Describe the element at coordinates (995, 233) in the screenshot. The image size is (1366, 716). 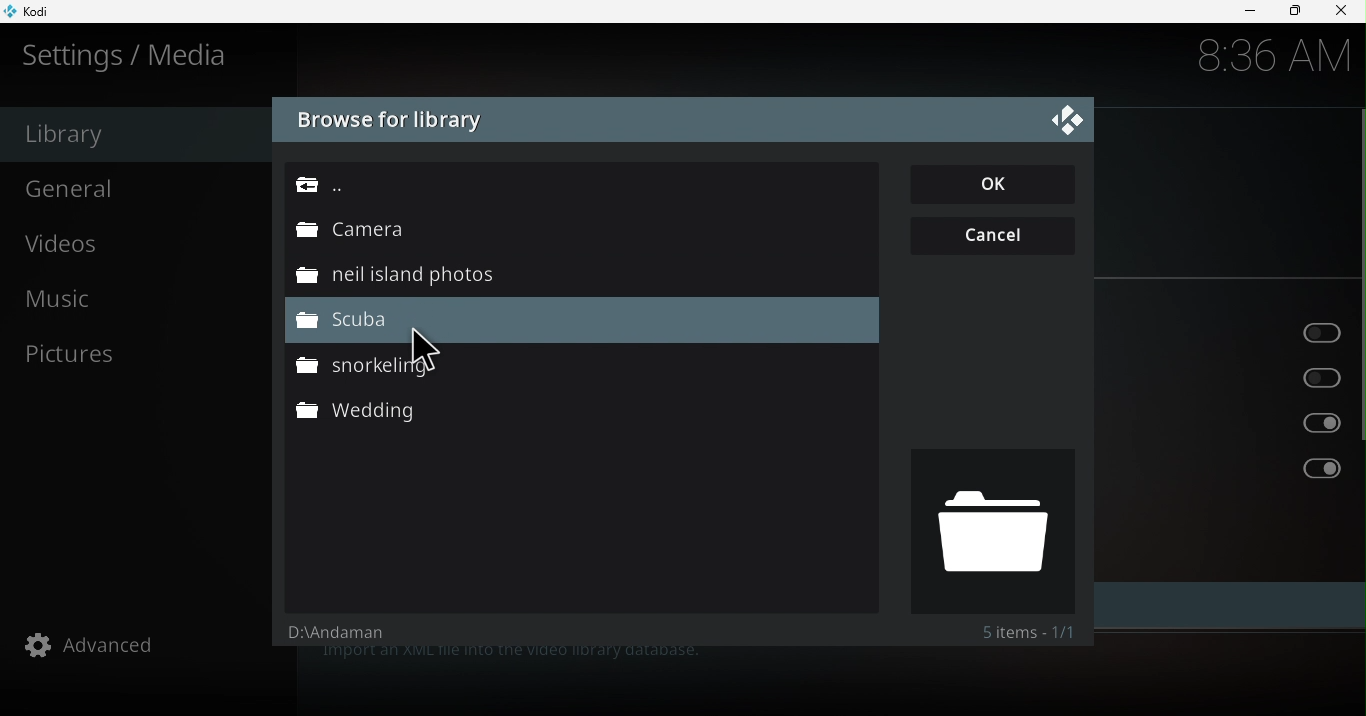
I see `Cancel` at that location.